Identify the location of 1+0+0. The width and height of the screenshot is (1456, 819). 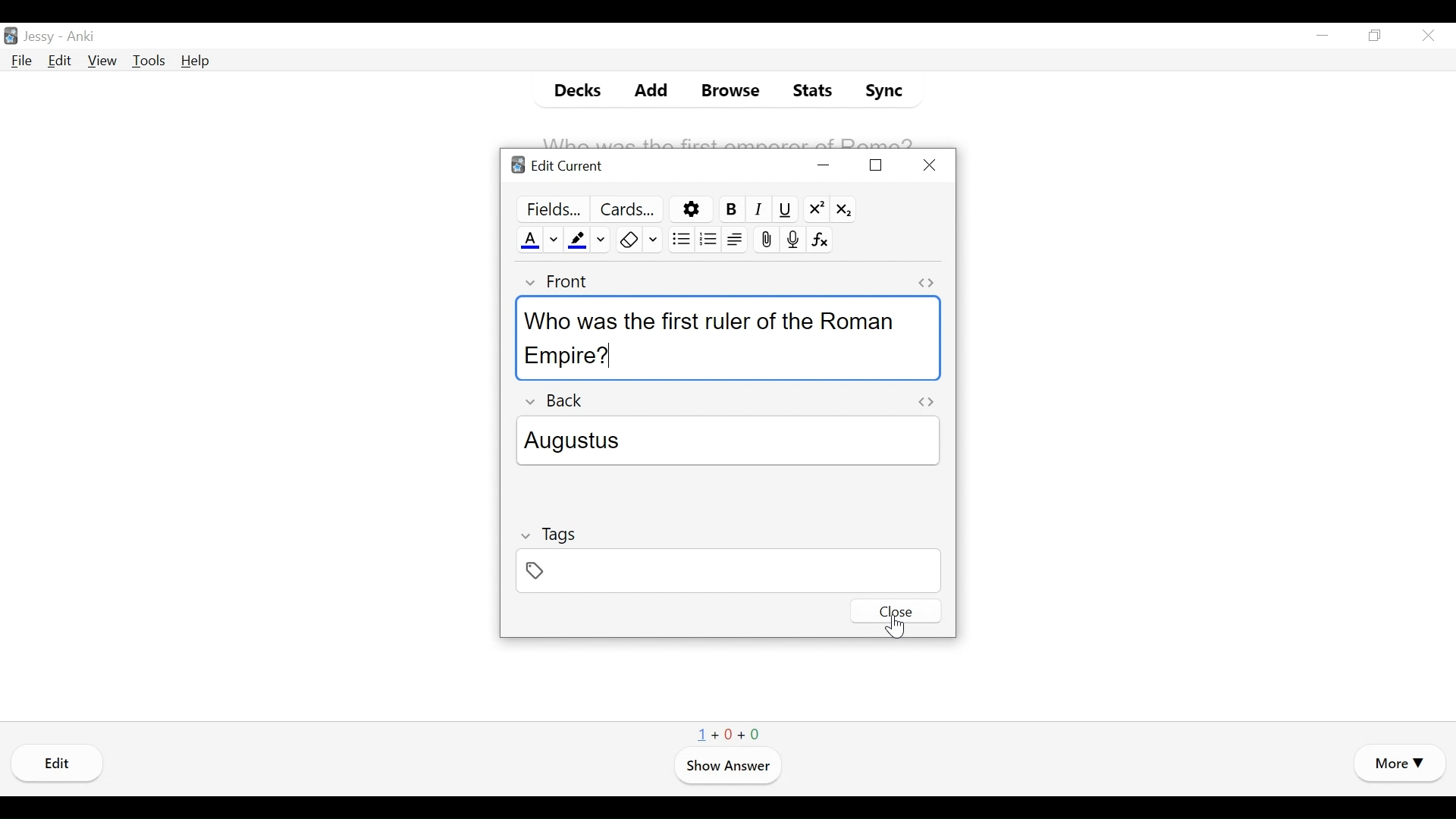
(730, 732).